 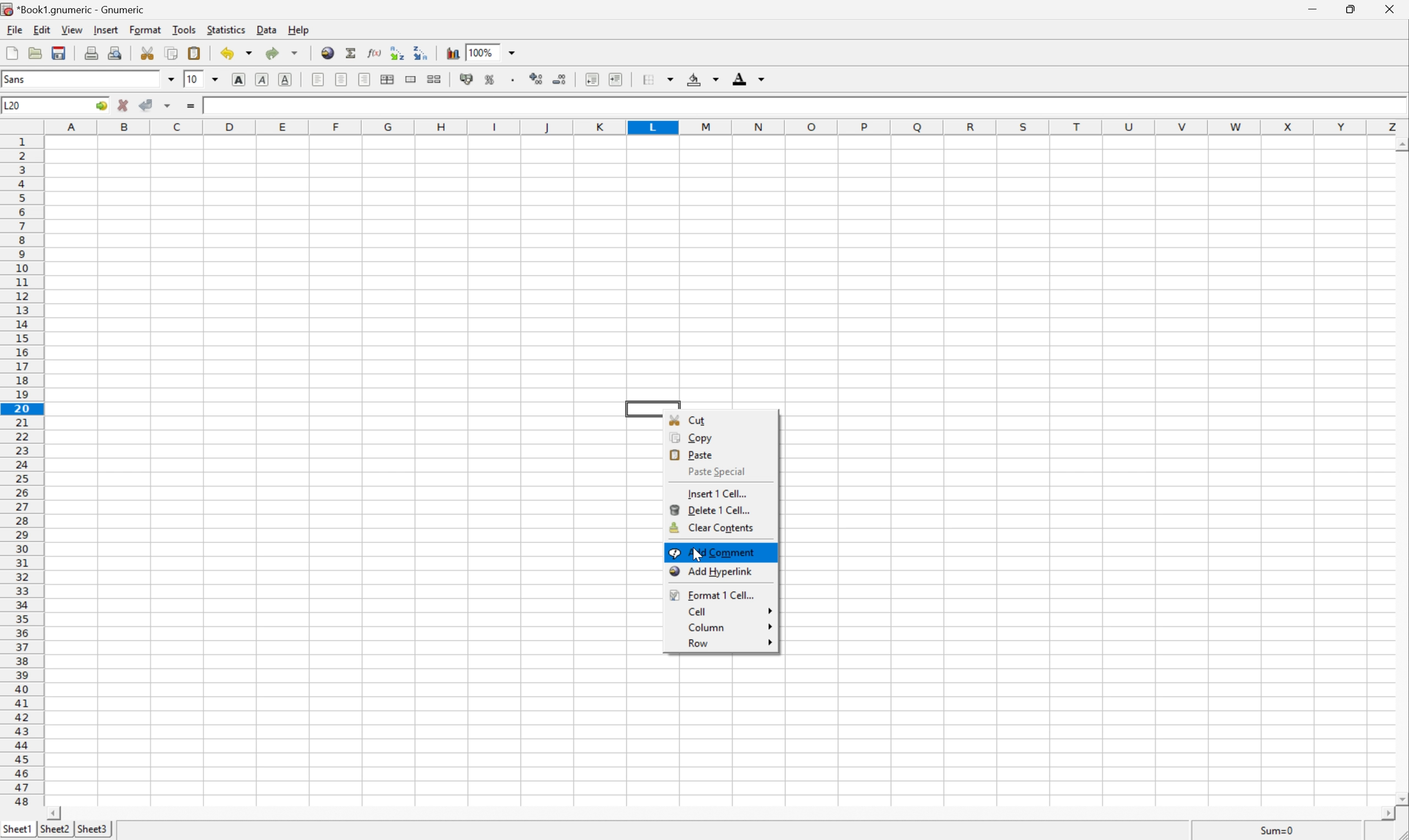 What do you see at coordinates (591, 79) in the screenshot?
I see `Decrease indent, and align the contents to the left` at bounding box center [591, 79].